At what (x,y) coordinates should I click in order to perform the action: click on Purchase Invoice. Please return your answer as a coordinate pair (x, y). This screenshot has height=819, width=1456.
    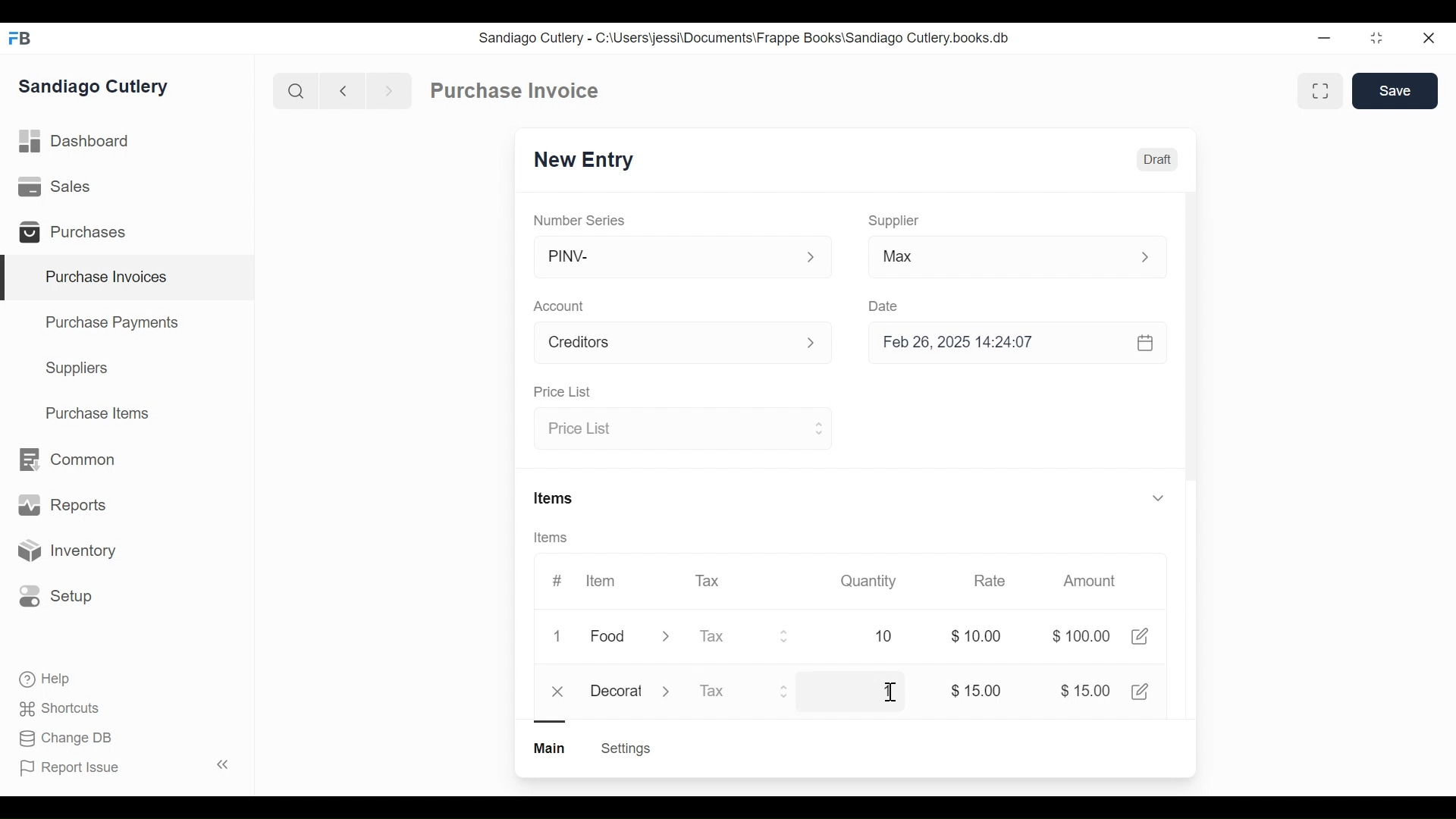
    Looking at the image, I should click on (516, 91).